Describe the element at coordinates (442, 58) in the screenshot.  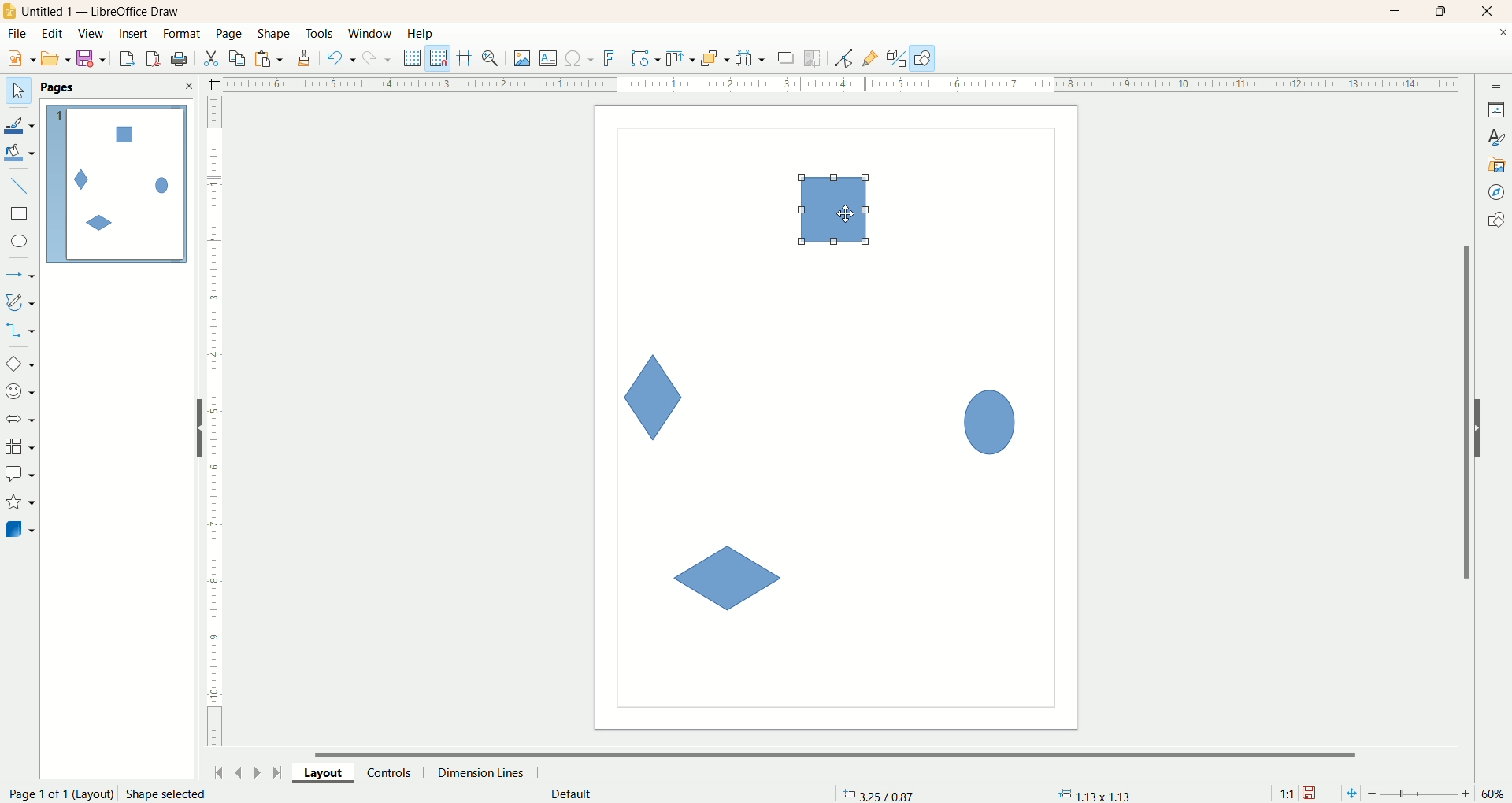
I see `snap to grid` at that location.